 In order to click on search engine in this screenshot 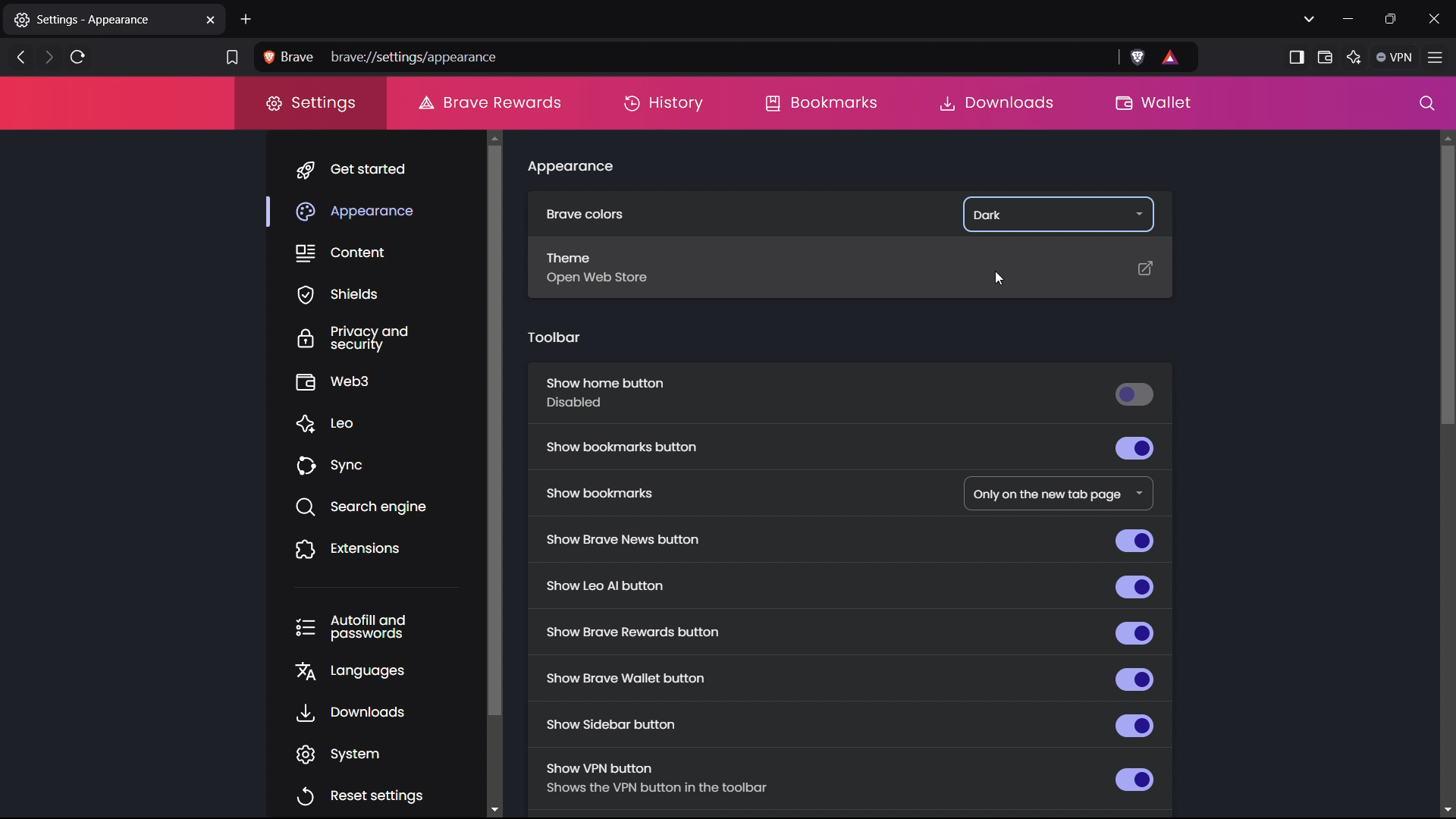, I will do `click(385, 505)`.